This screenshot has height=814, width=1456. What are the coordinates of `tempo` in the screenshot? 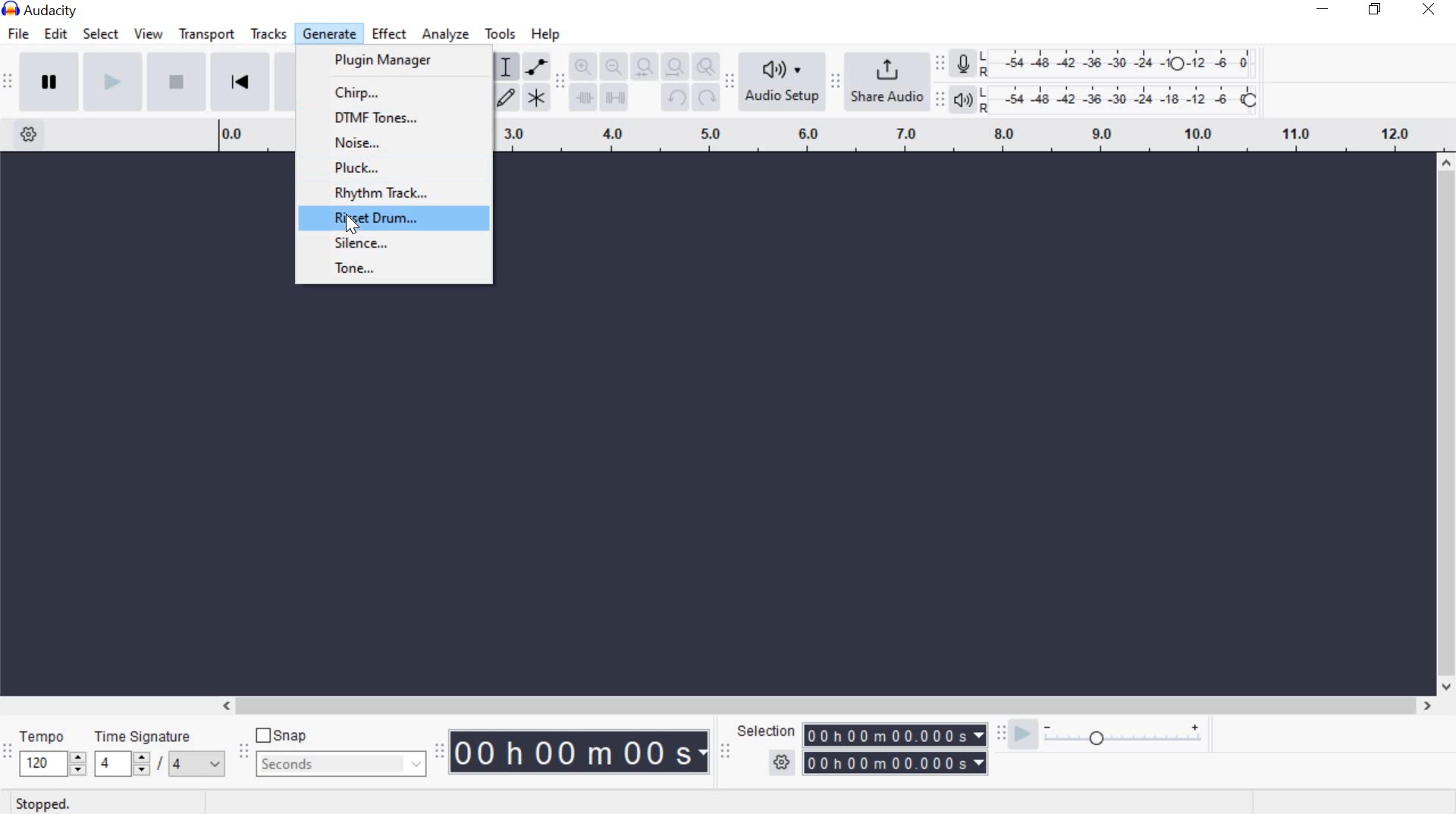 It's located at (52, 755).